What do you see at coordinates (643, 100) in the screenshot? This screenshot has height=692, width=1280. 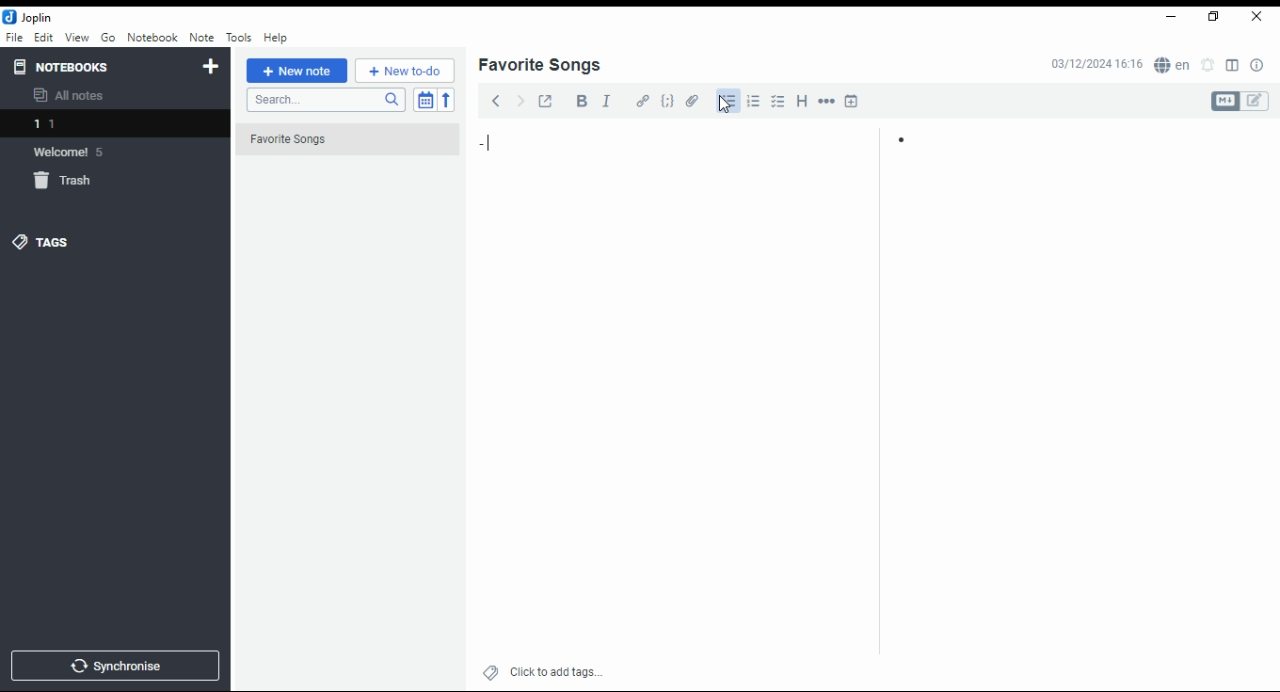 I see `hyperlink` at bounding box center [643, 100].